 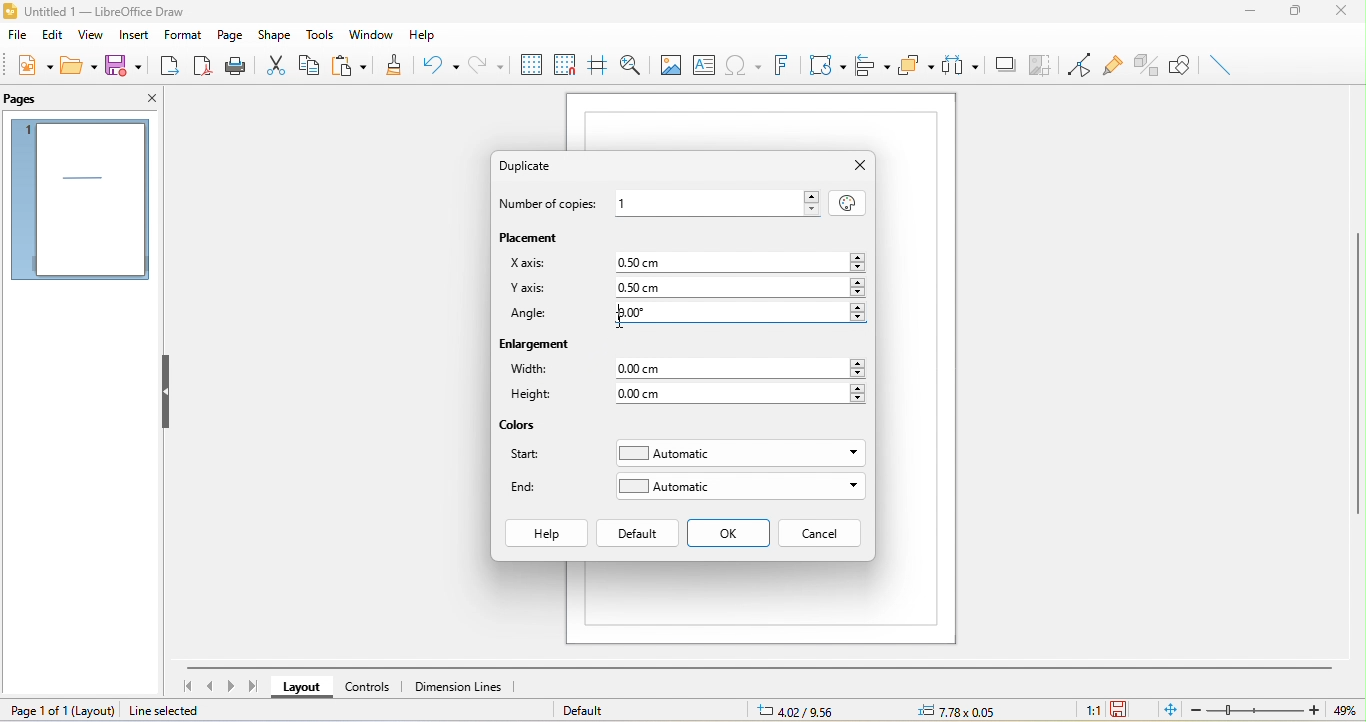 I want to click on 7.26/9.58, so click(x=808, y=711).